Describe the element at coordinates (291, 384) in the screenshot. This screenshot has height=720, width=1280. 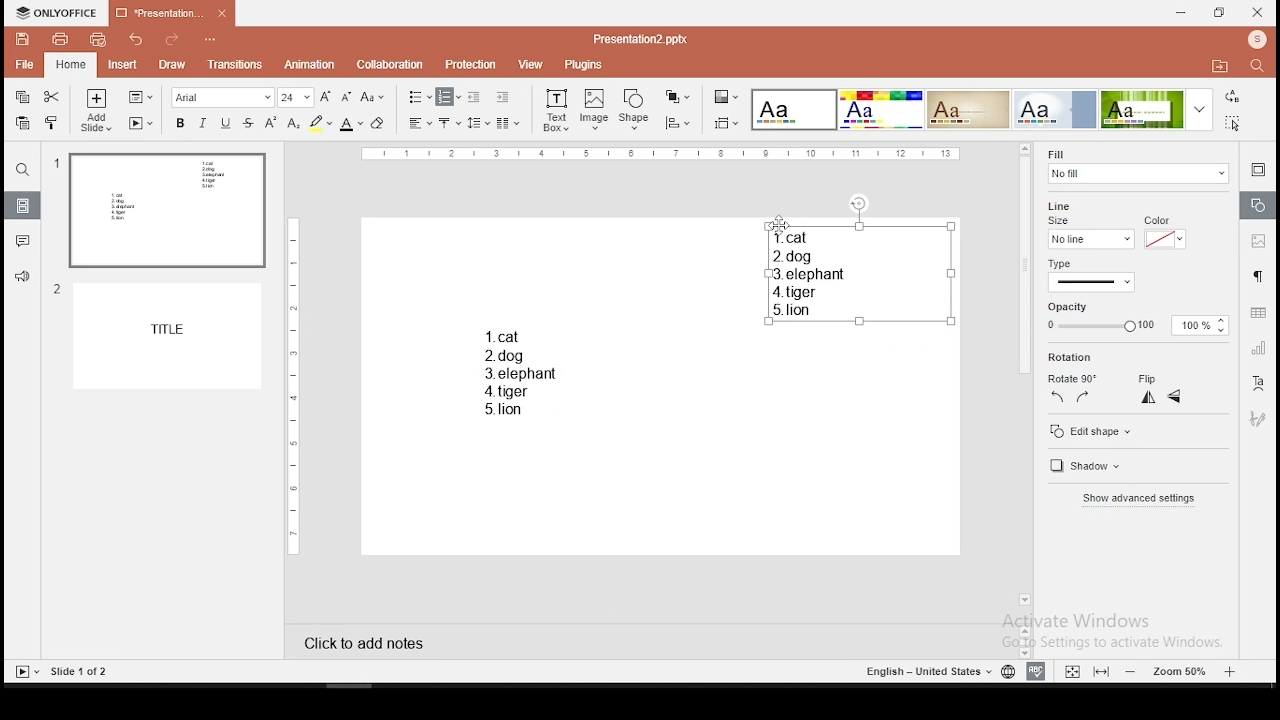
I see `scale` at that location.